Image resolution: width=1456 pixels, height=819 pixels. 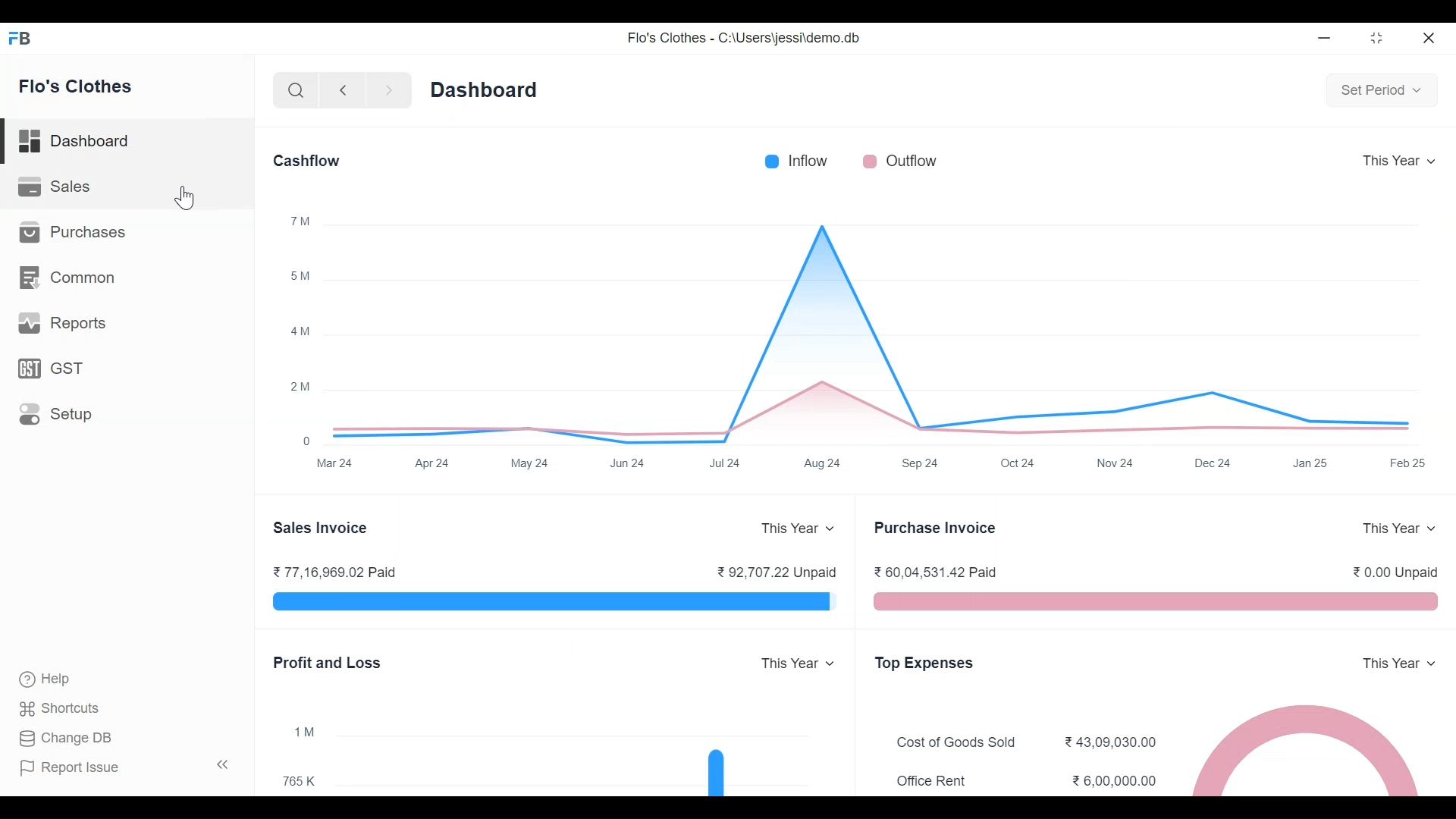 I want to click on Expand, so click(x=1433, y=162).